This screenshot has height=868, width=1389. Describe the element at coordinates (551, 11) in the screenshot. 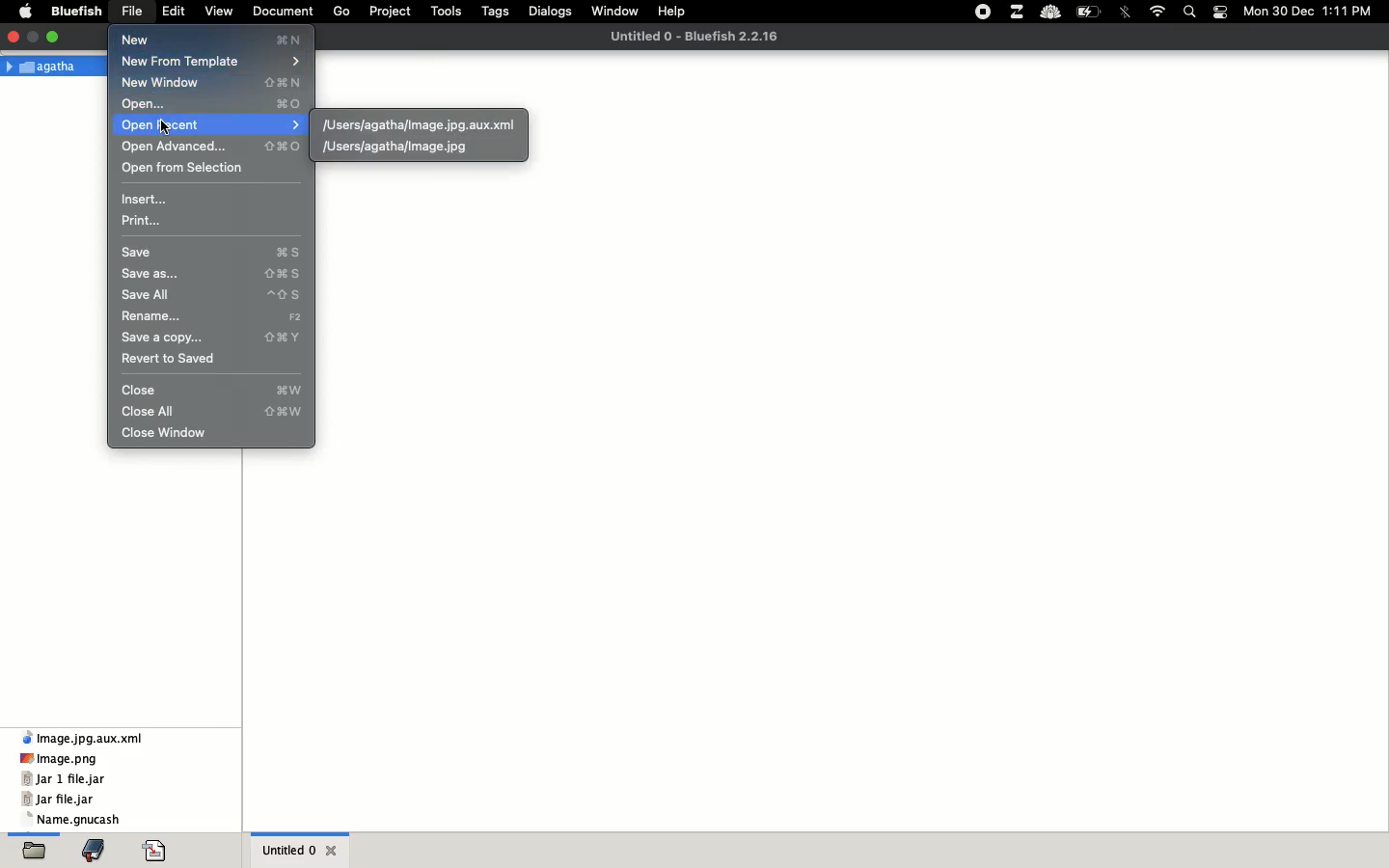

I see `dialogs` at that location.